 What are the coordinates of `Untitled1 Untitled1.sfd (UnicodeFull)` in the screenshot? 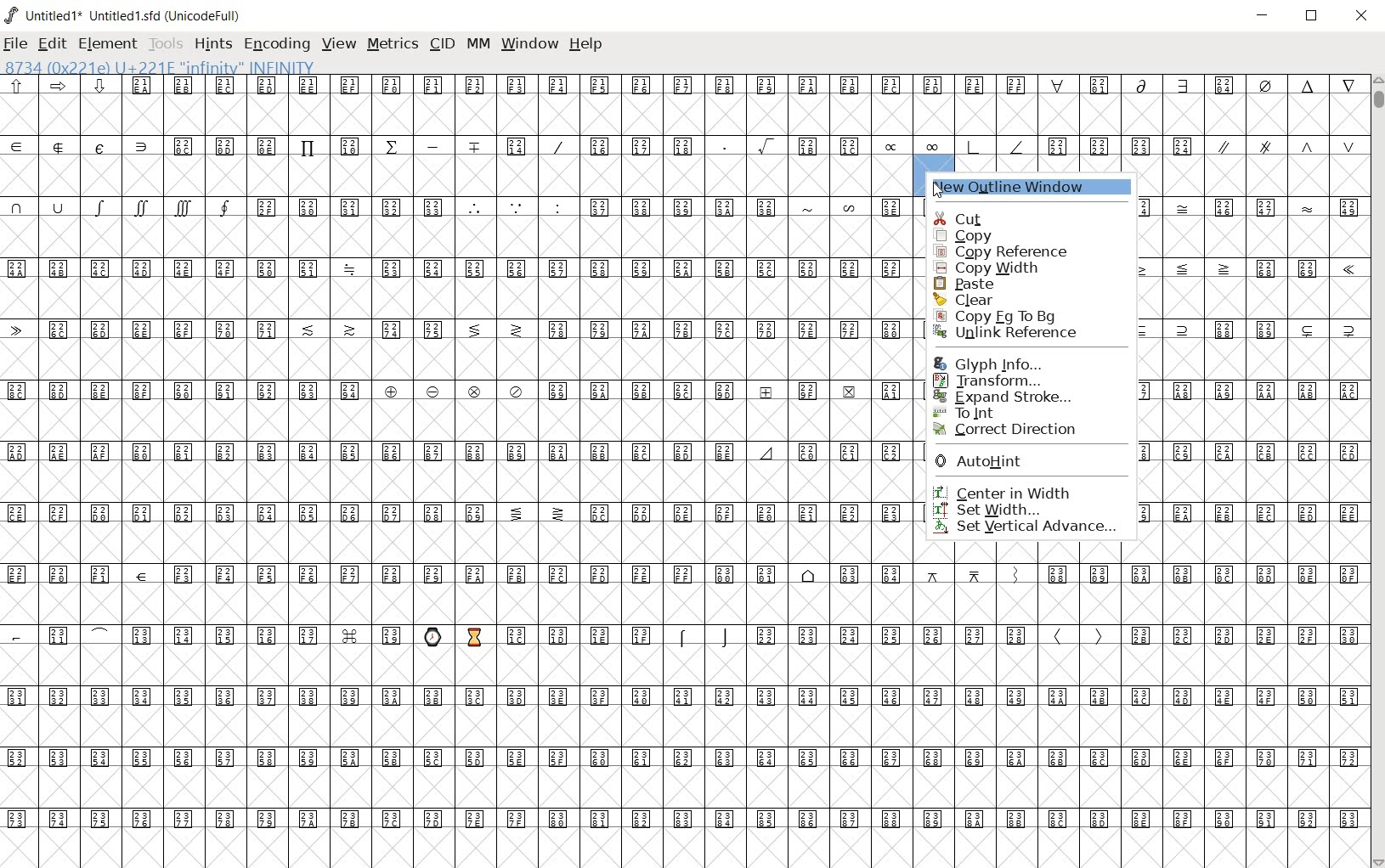 It's located at (128, 20).